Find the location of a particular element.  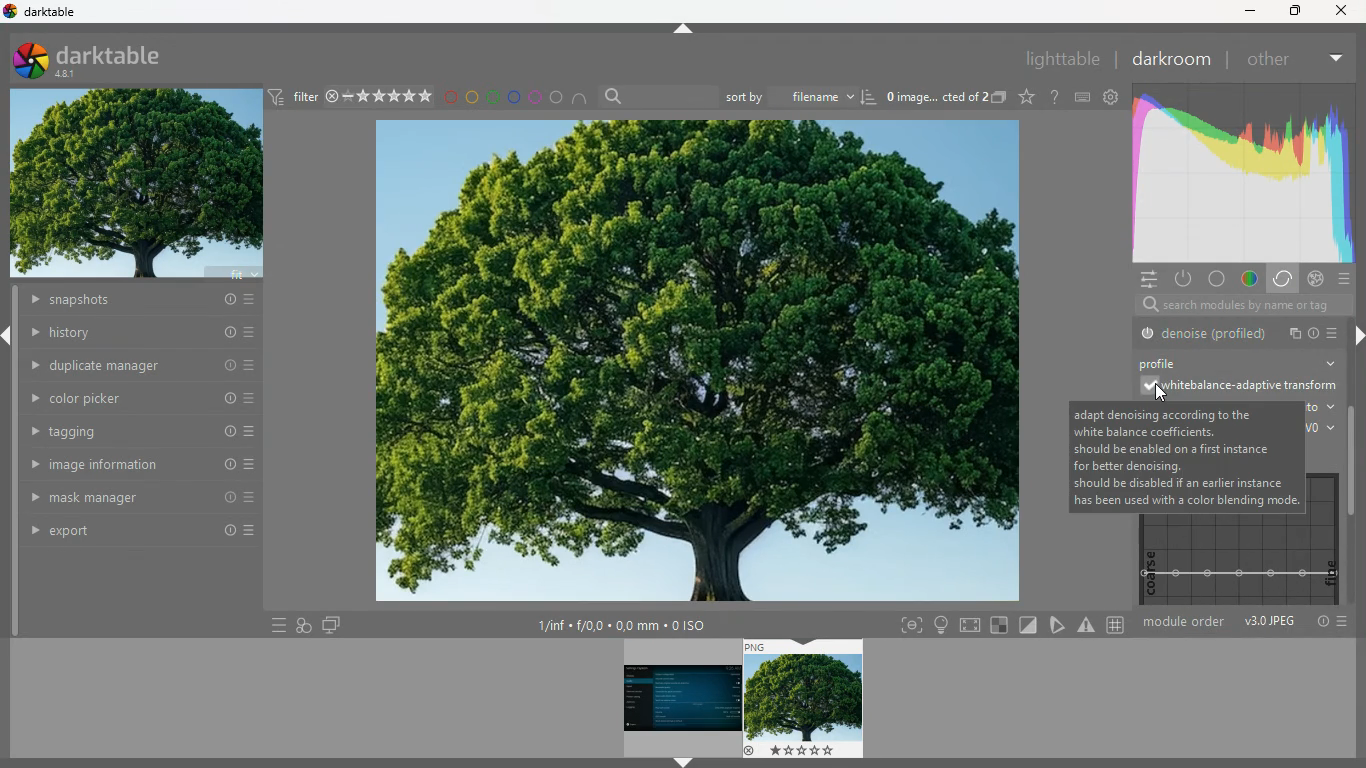

denoise is located at coordinates (1204, 333).